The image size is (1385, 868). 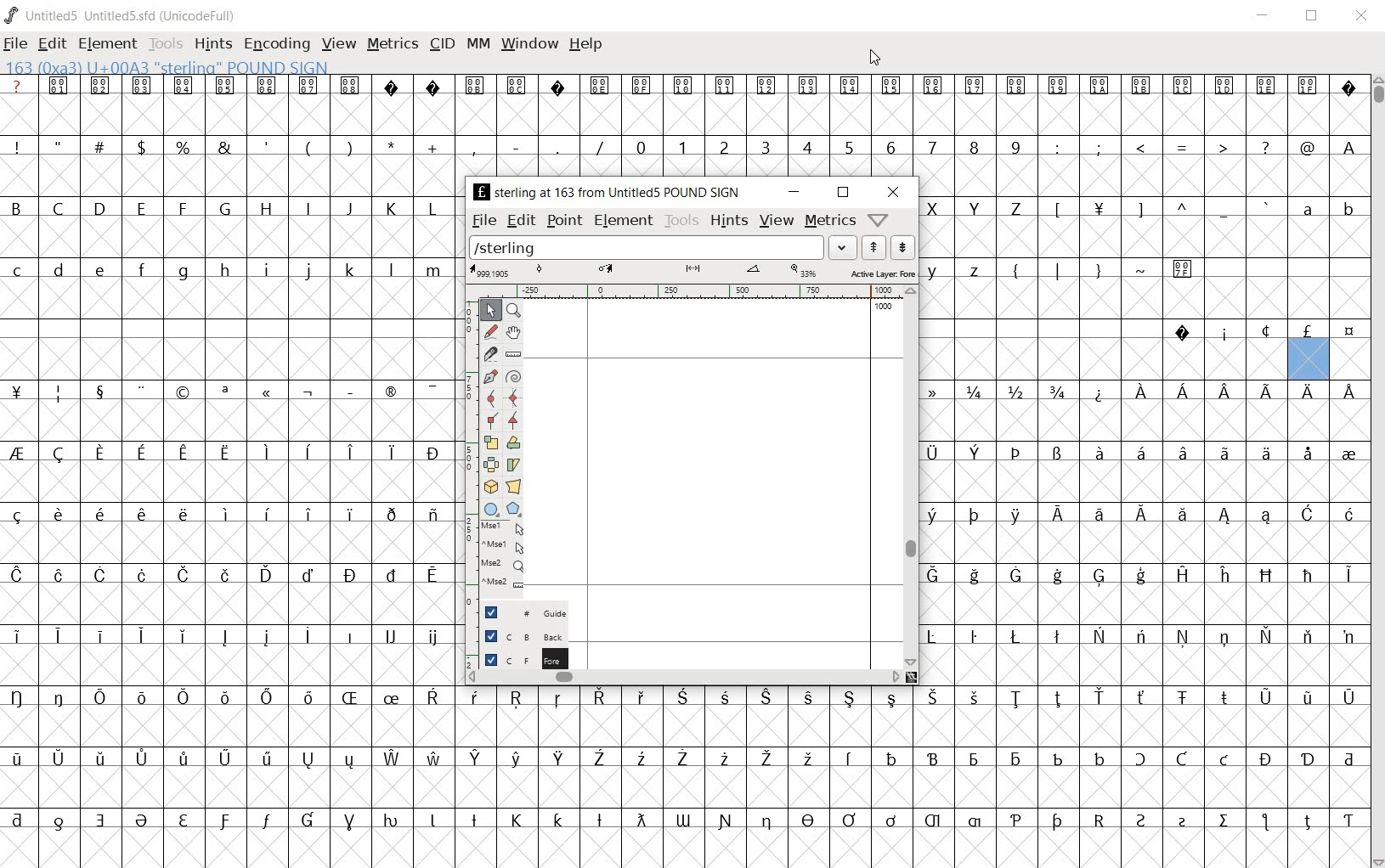 I want to click on =, so click(x=1183, y=147).